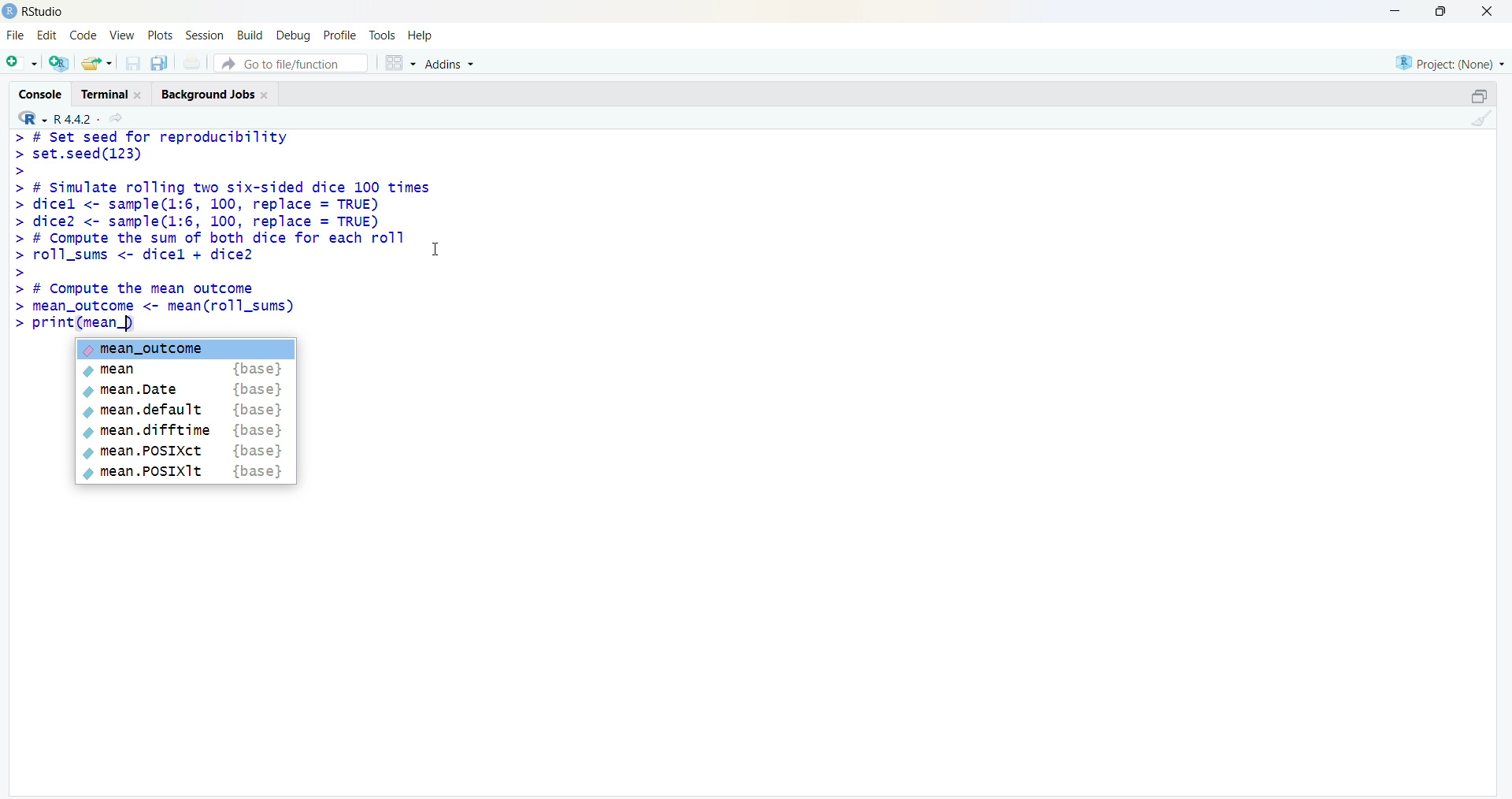 The width and height of the screenshot is (1512, 799). I want to click on open in separate window, so click(1480, 96).